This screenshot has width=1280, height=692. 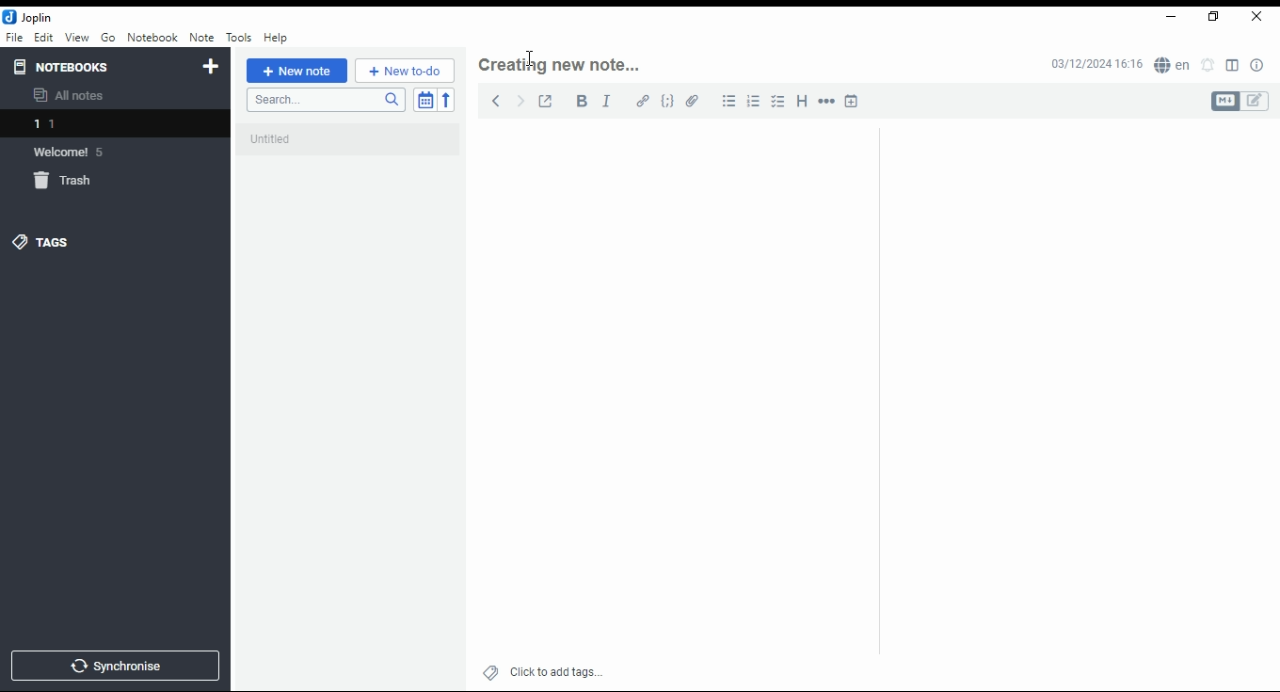 I want to click on search, so click(x=325, y=100).